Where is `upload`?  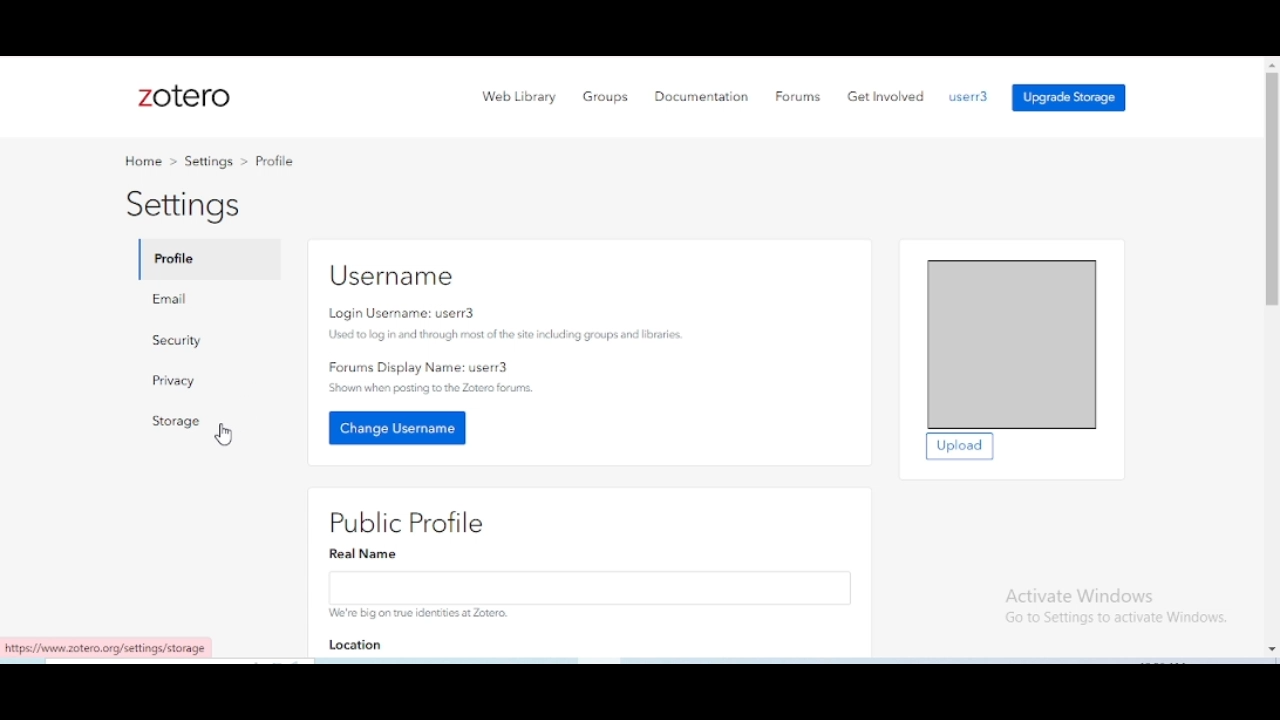
upload is located at coordinates (960, 447).